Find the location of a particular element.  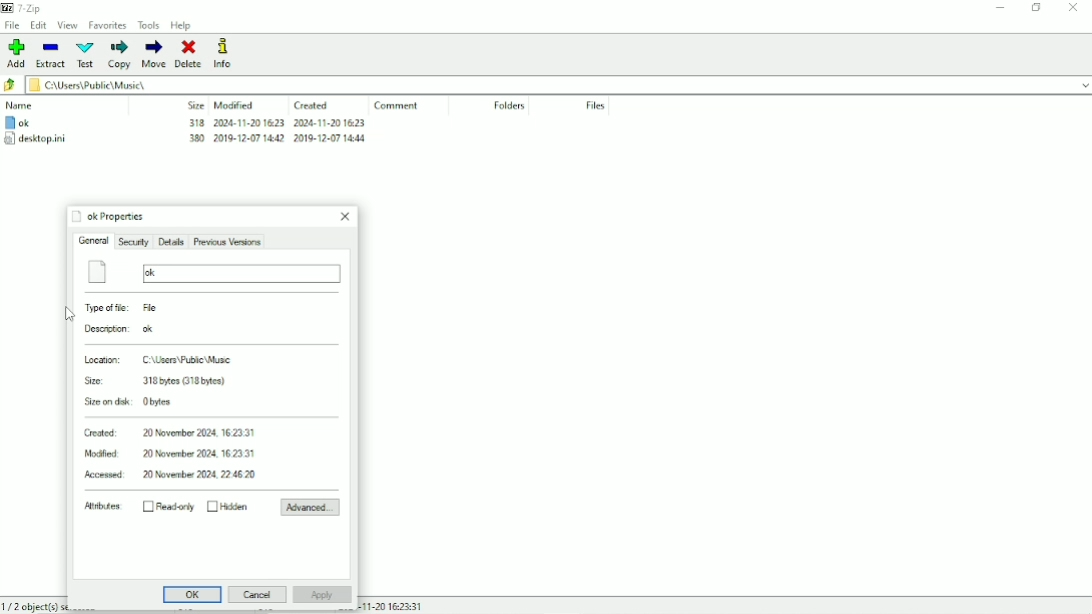

View is located at coordinates (68, 25).